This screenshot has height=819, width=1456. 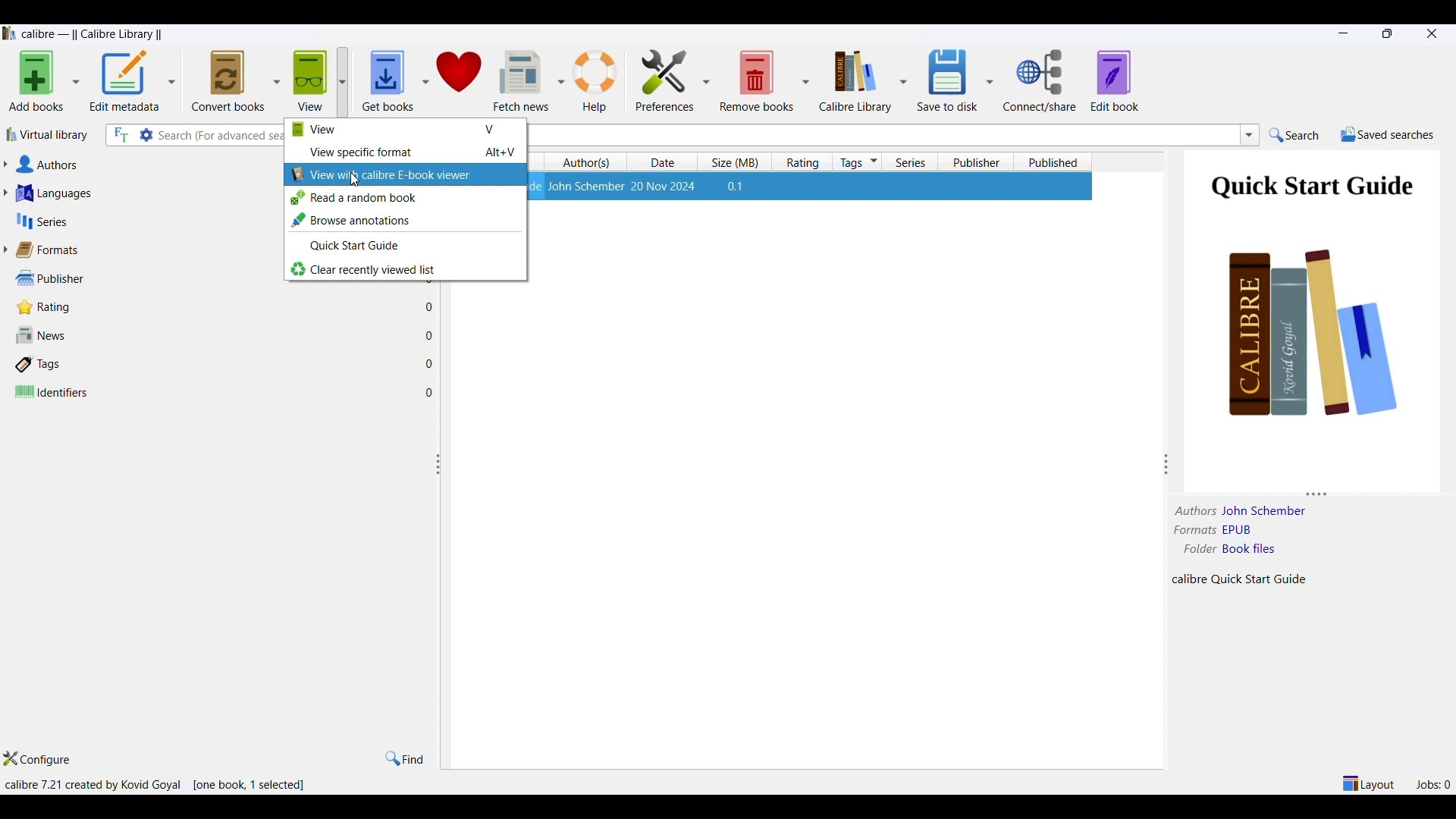 I want to click on saved searches, so click(x=1389, y=135).